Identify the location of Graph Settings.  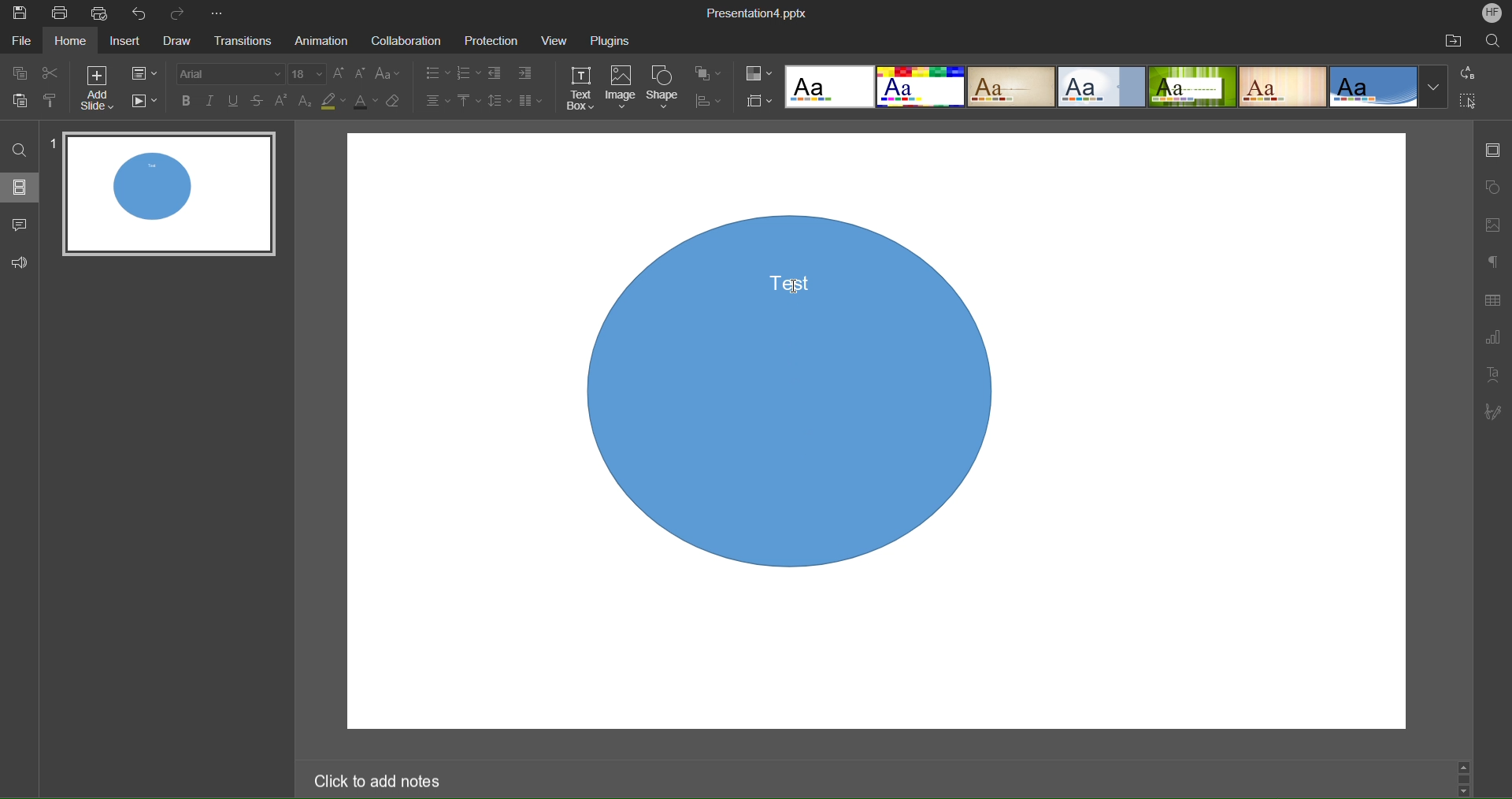
(1493, 337).